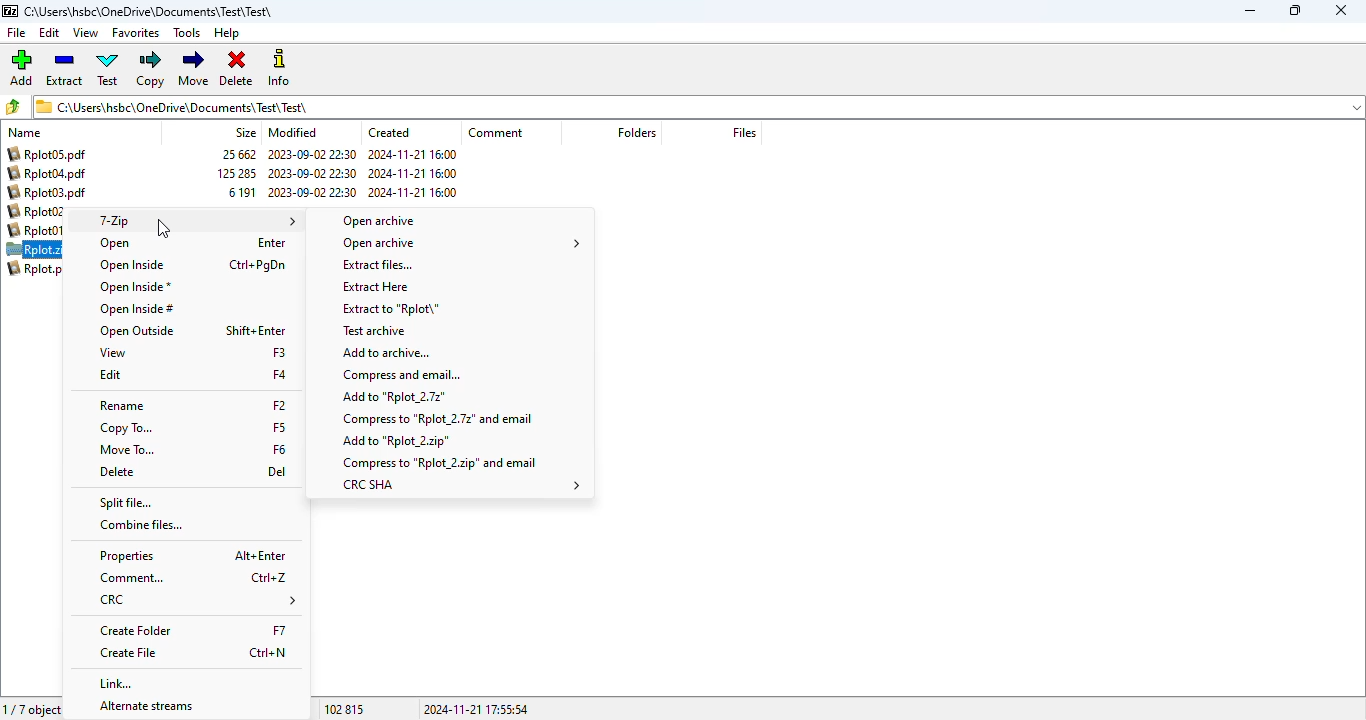  I want to click on copy, so click(149, 69).